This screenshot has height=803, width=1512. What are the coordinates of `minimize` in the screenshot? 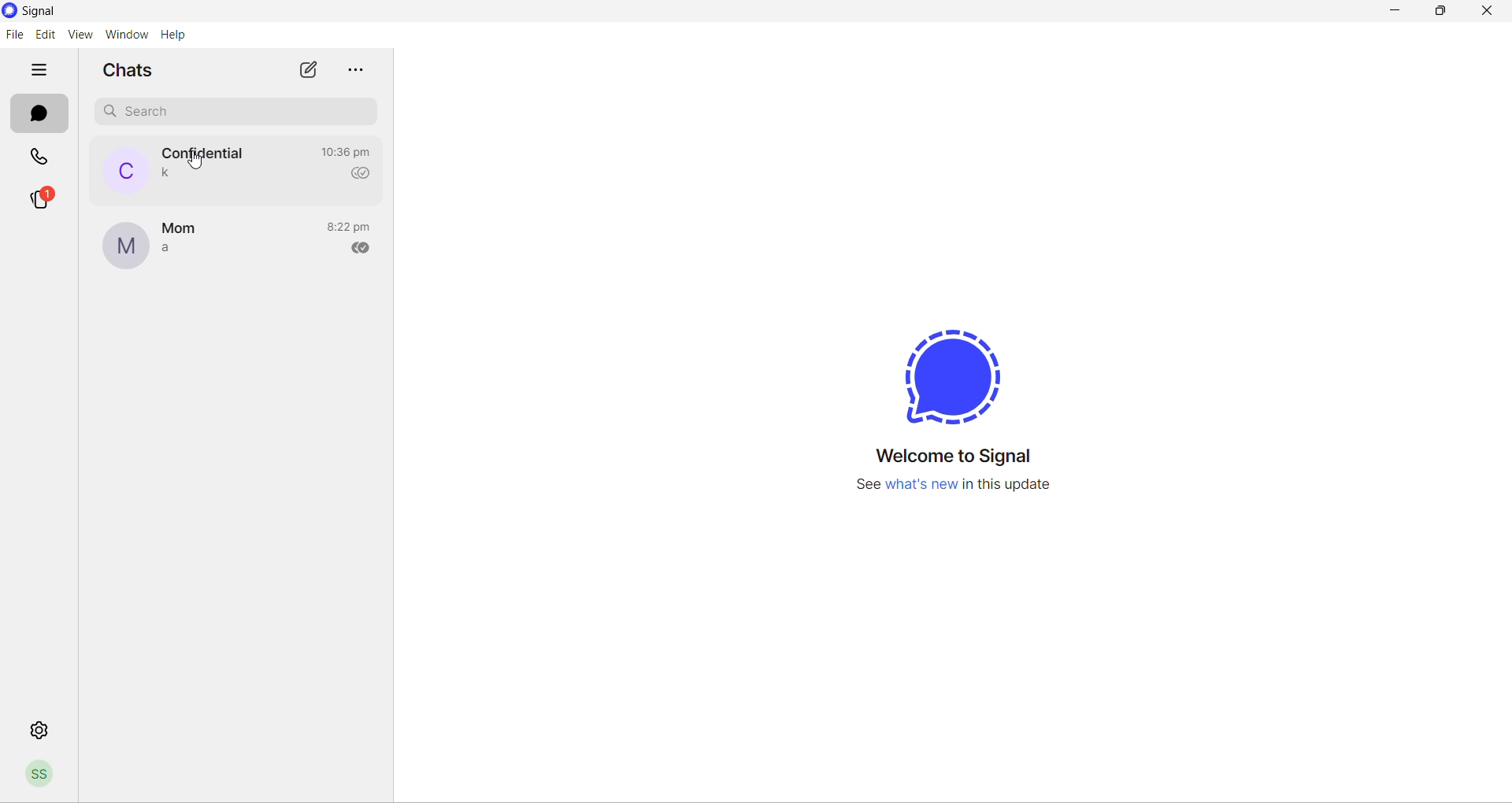 It's located at (1385, 13).